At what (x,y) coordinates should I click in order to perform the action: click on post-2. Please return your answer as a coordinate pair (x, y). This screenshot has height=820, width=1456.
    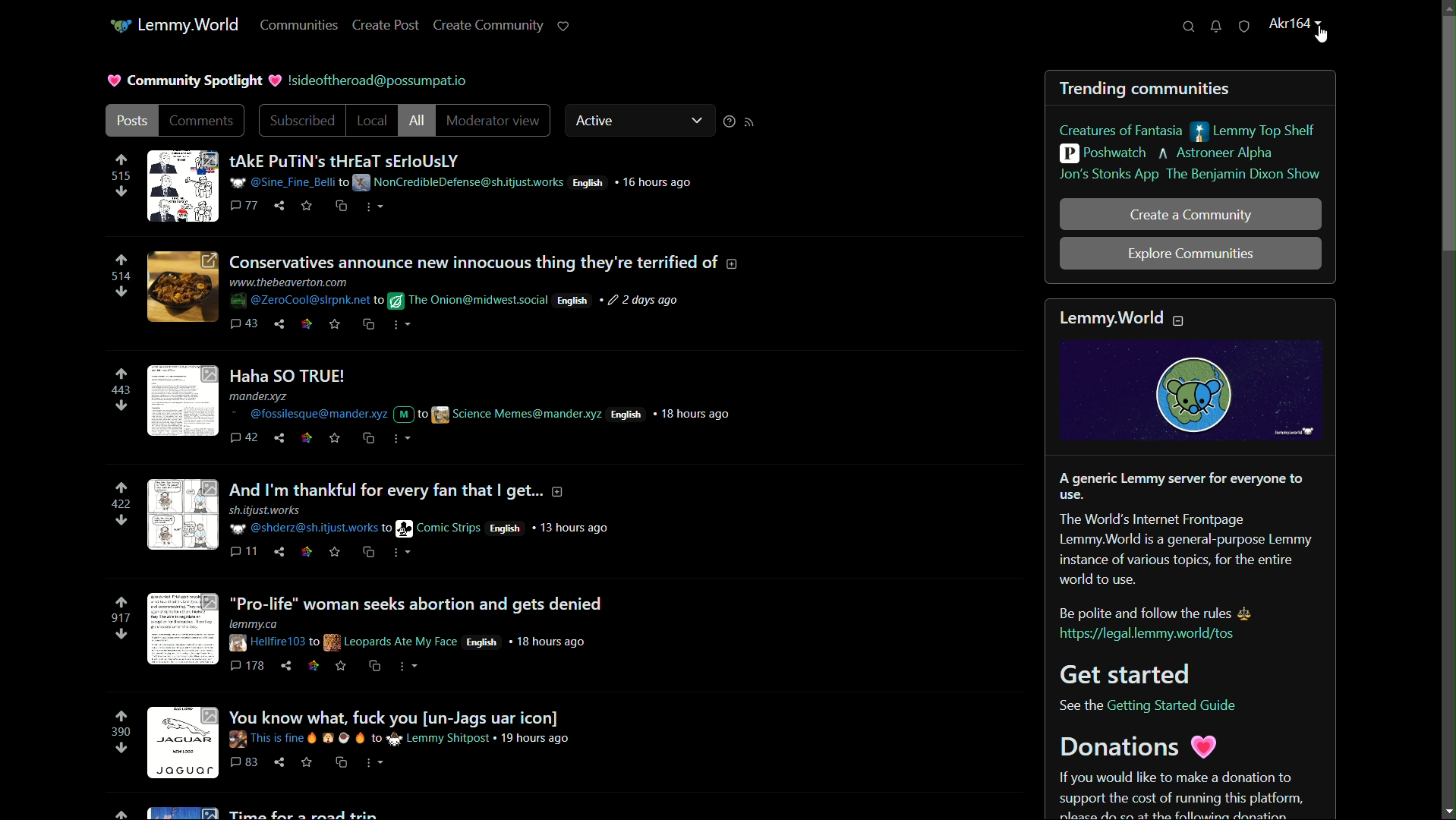
    Looking at the image, I should click on (443, 291).